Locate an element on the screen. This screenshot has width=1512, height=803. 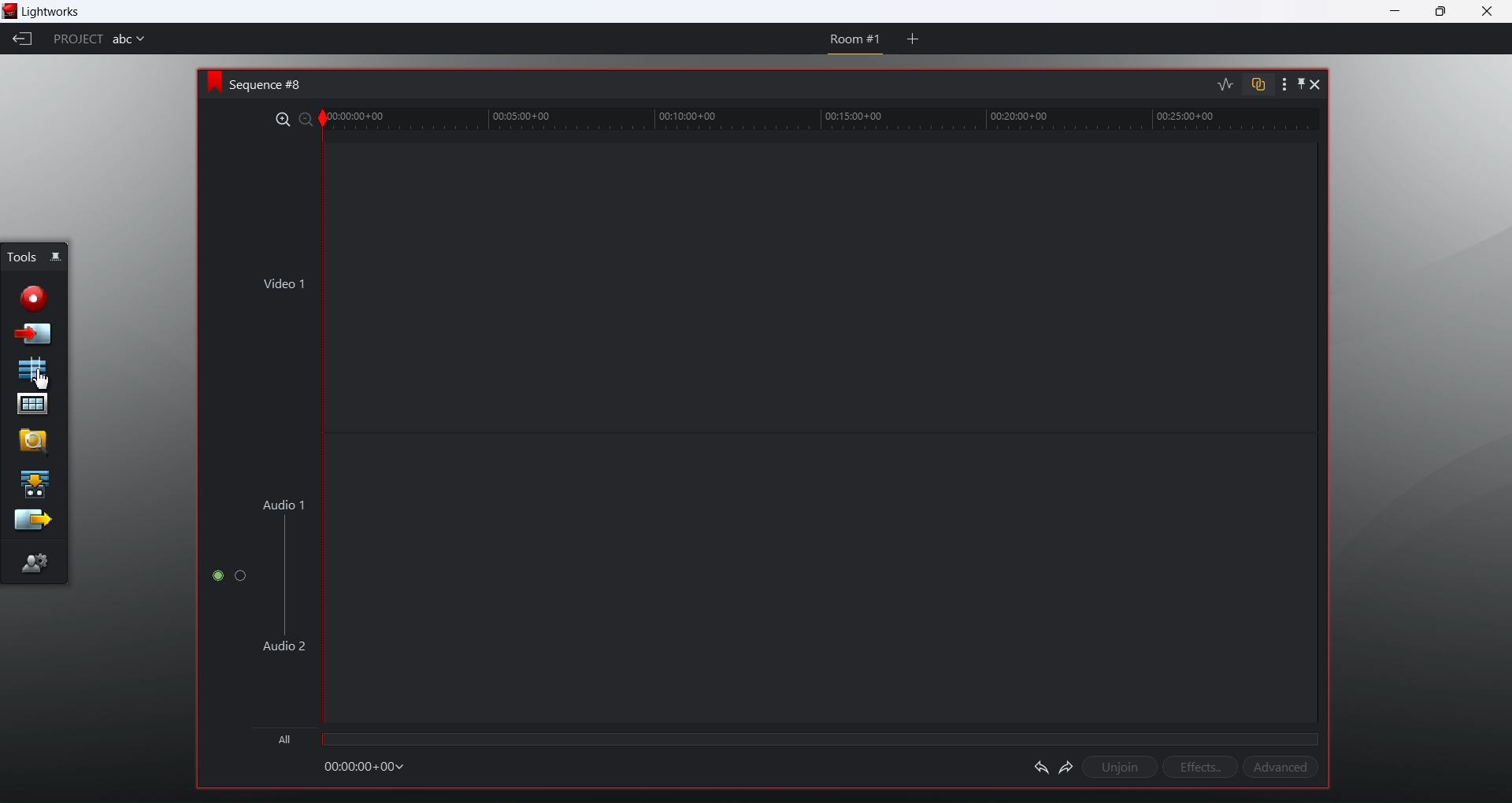
solo this track is located at coordinates (242, 577).